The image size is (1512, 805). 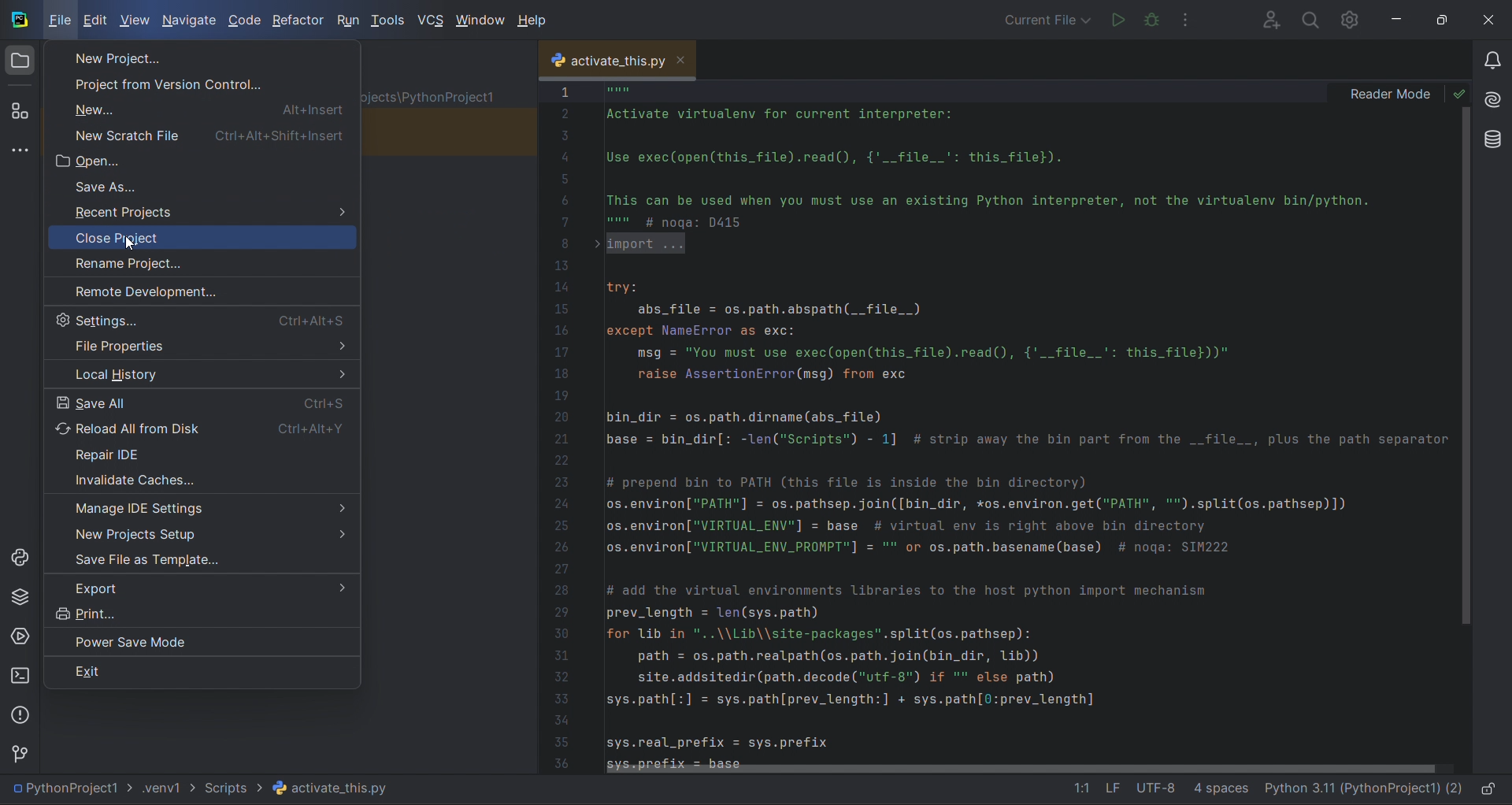 I want to click on help, so click(x=532, y=18).